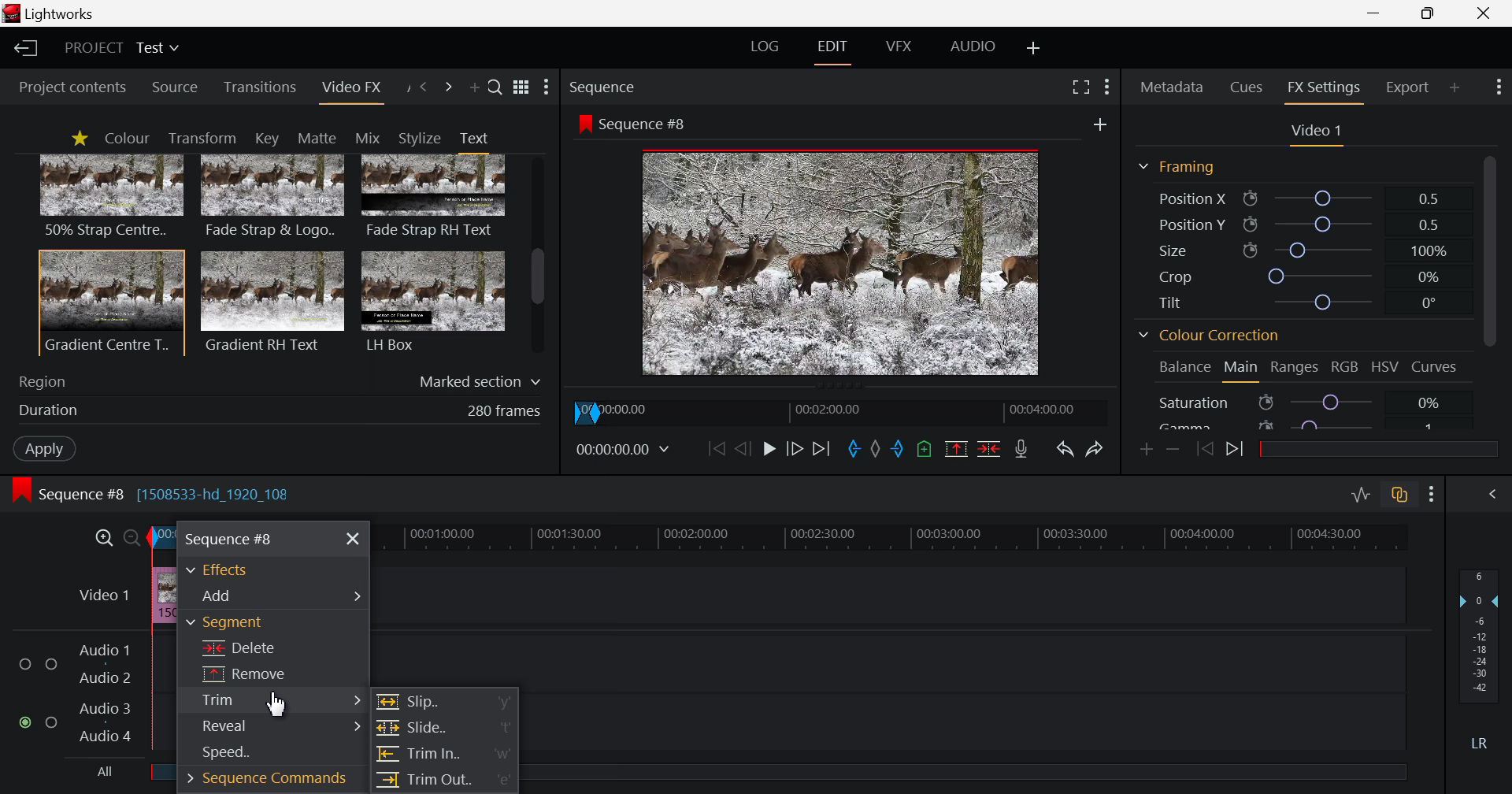  What do you see at coordinates (132, 534) in the screenshot?
I see `Timeline Zoom Out` at bounding box center [132, 534].